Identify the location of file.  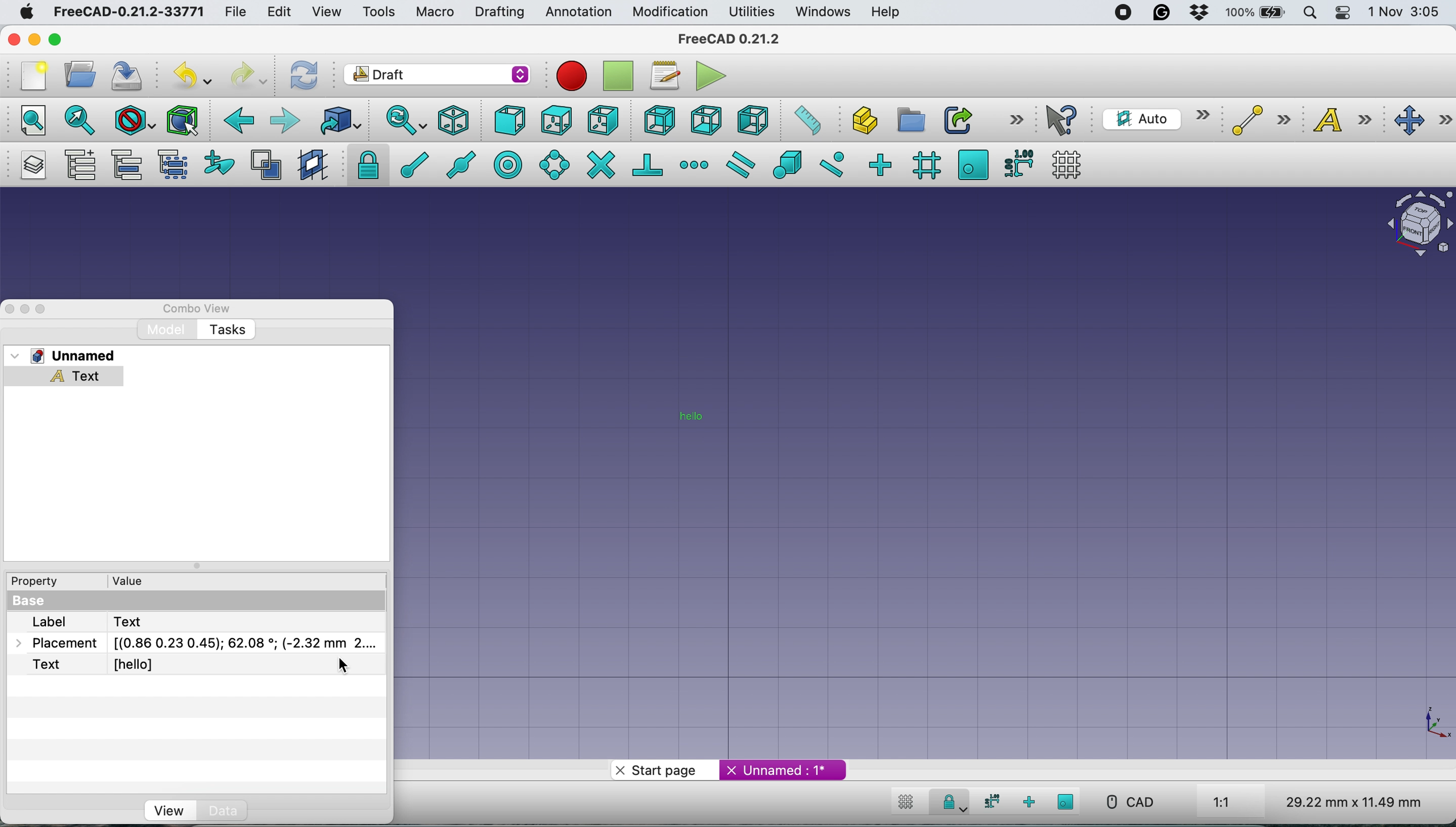
(236, 13).